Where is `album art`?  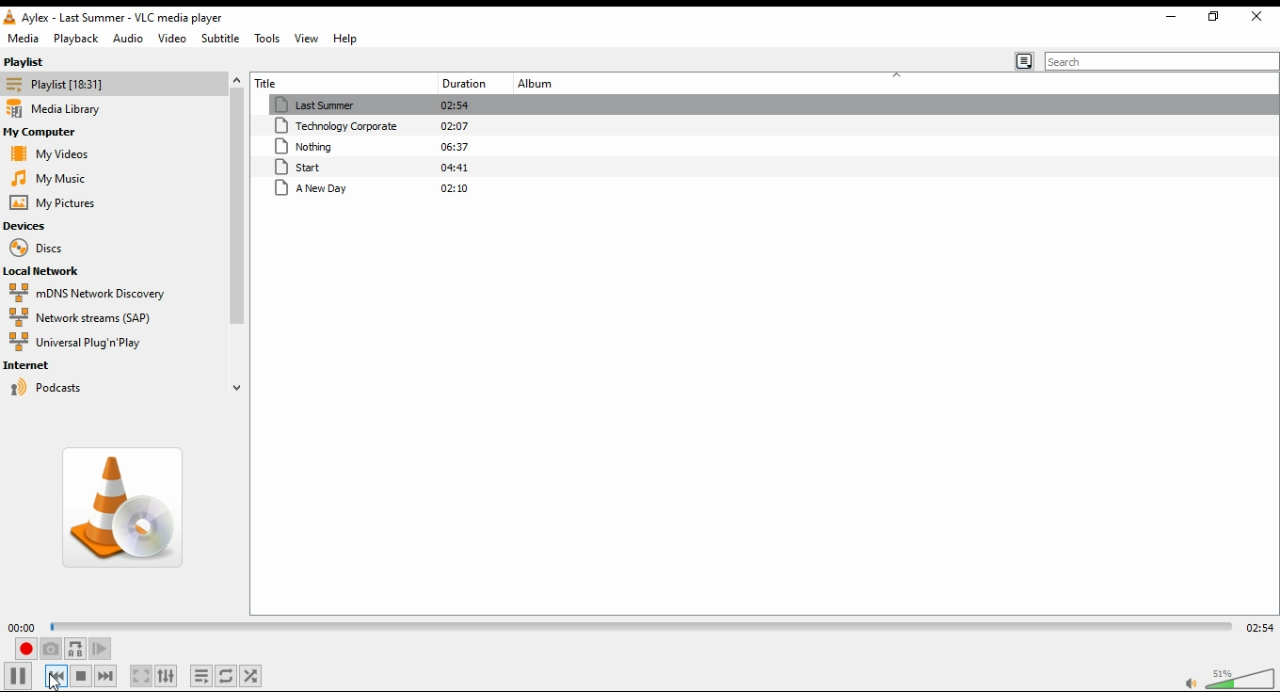 album art is located at coordinates (119, 510).